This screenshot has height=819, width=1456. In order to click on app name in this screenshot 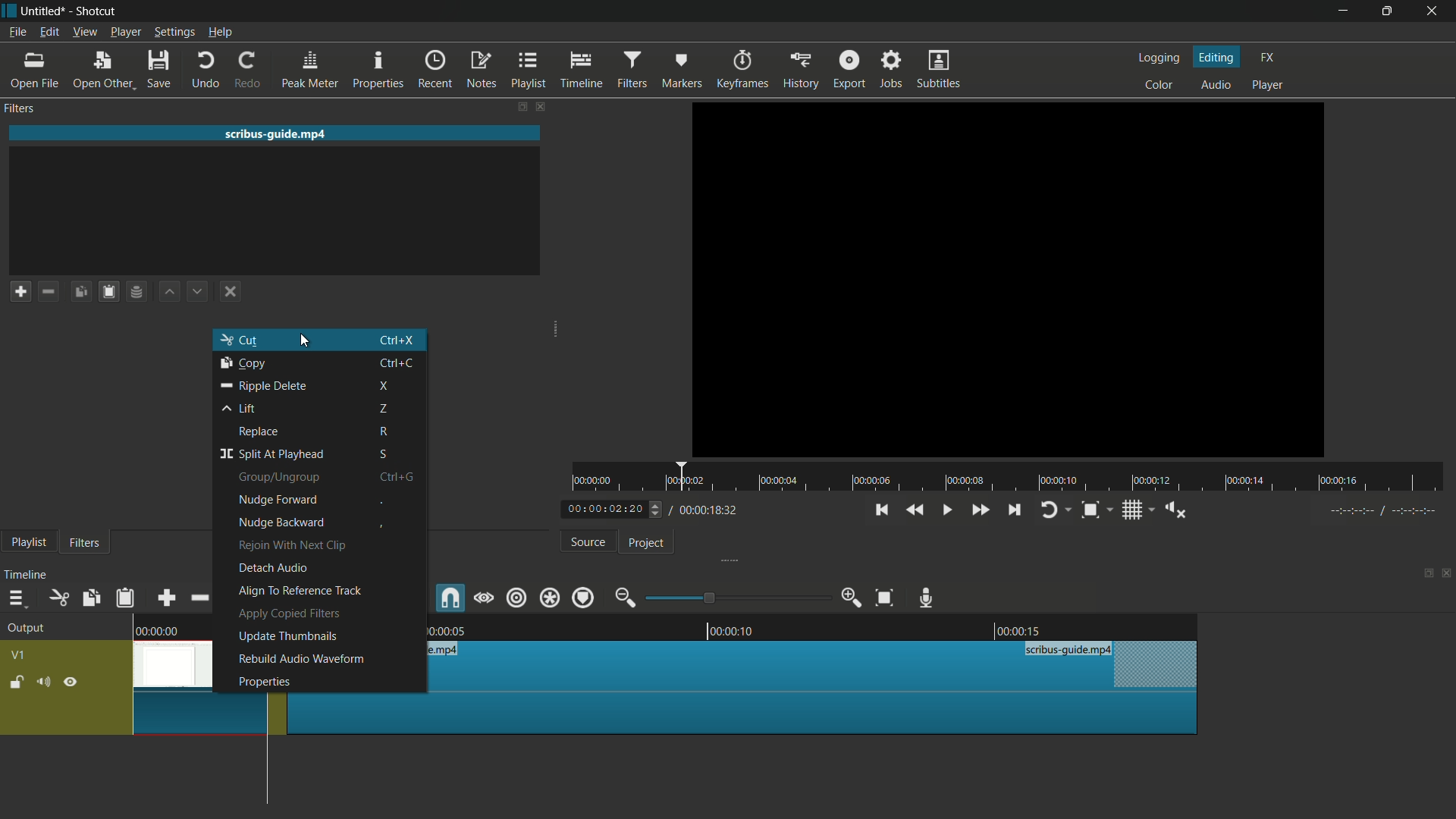, I will do `click(96, 11)`.